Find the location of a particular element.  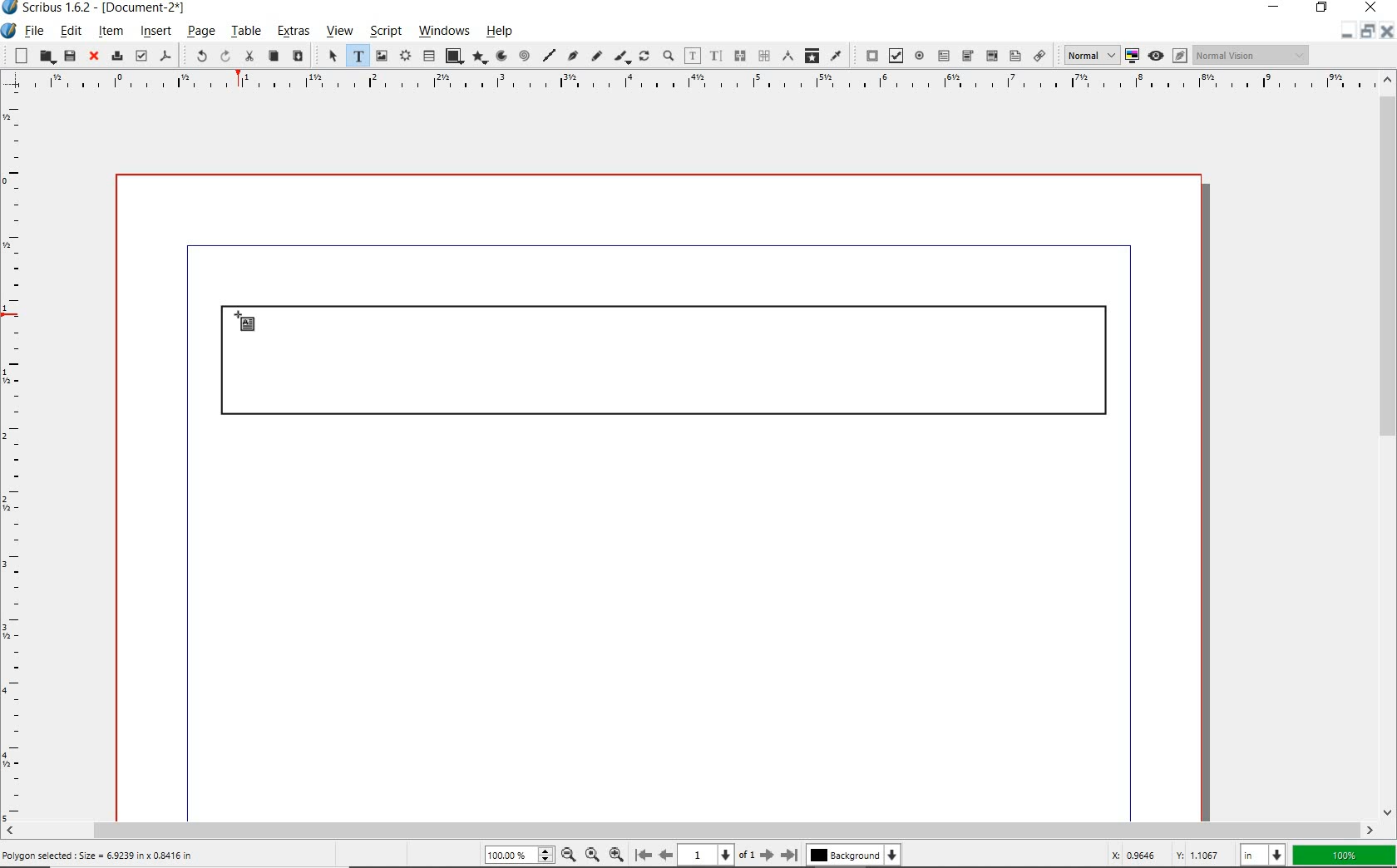

freehand line is located at coordinates (596, 57).